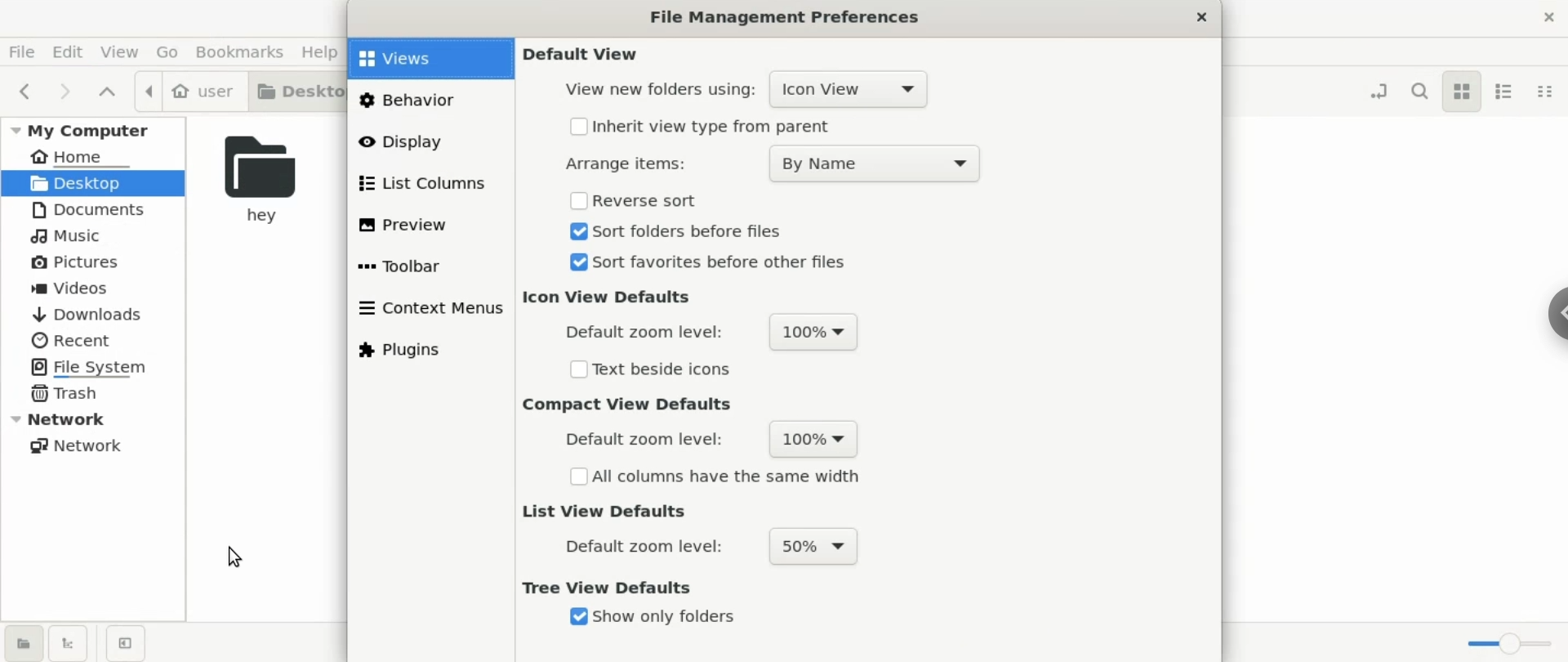 The image size is (1568, 662). What do you see at coordinates (78, 158) in the screenshot?
I see `home` at bounding box center [78, 158].